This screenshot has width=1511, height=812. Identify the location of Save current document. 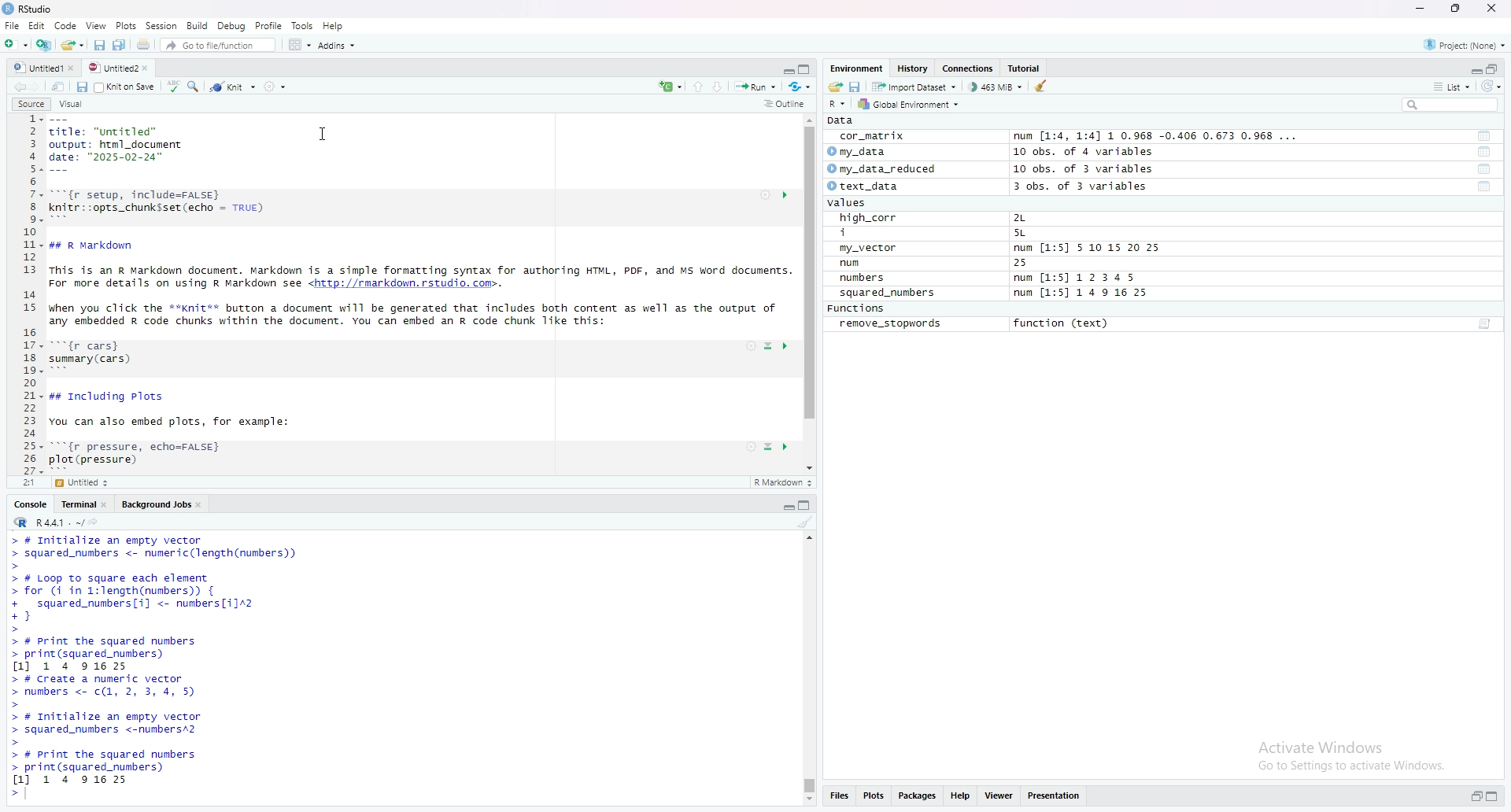
(99, 45).